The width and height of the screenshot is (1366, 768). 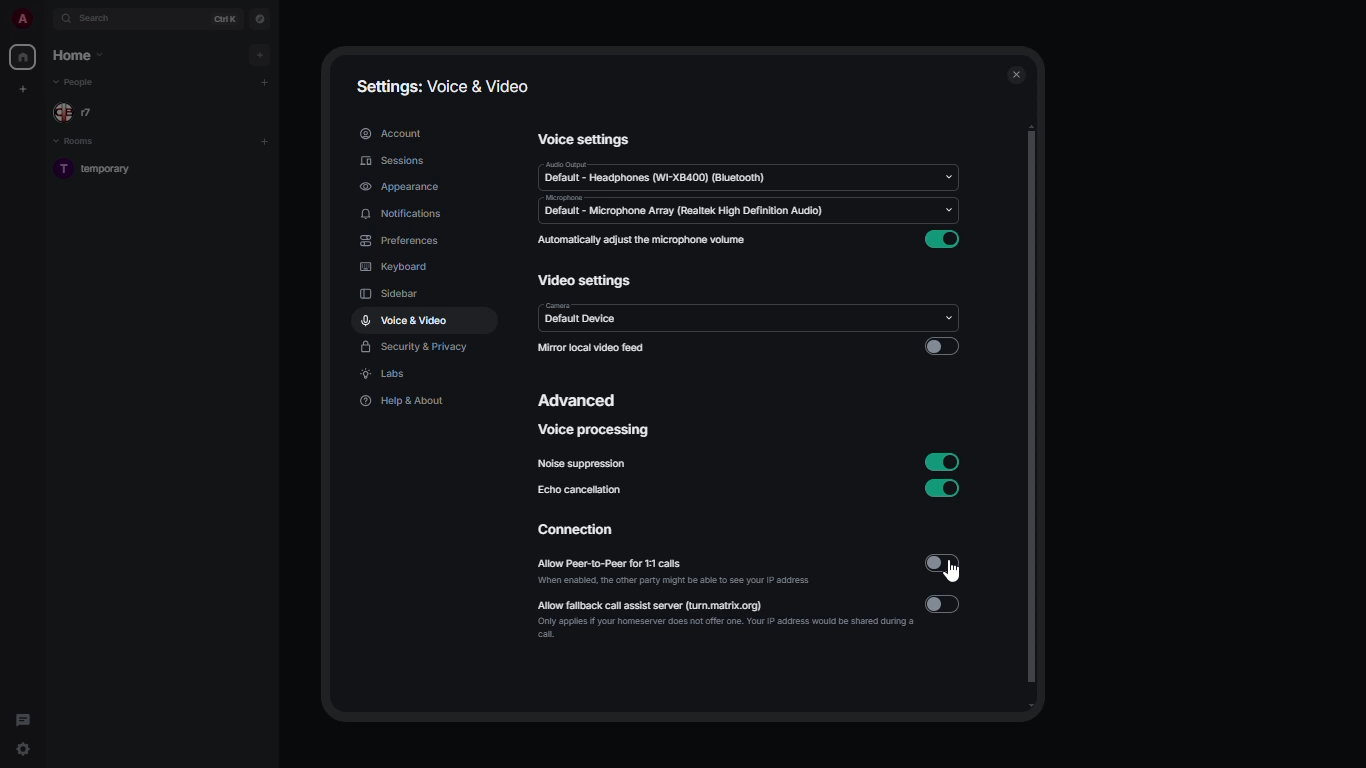 What do you see at coordinates (681, 207) in the screenshot?
I see `microphone default` at bounding box center [681, 207].